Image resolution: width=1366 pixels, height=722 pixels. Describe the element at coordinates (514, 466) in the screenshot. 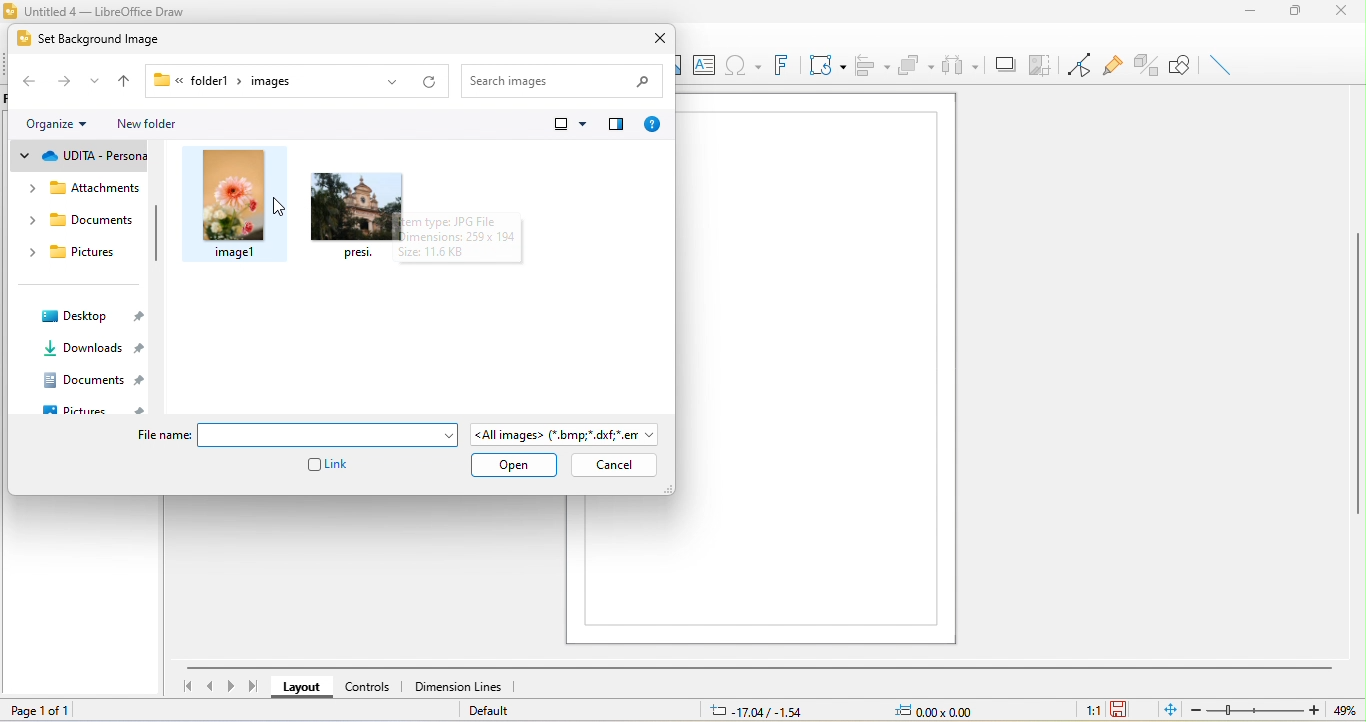

I see `open` at that location.